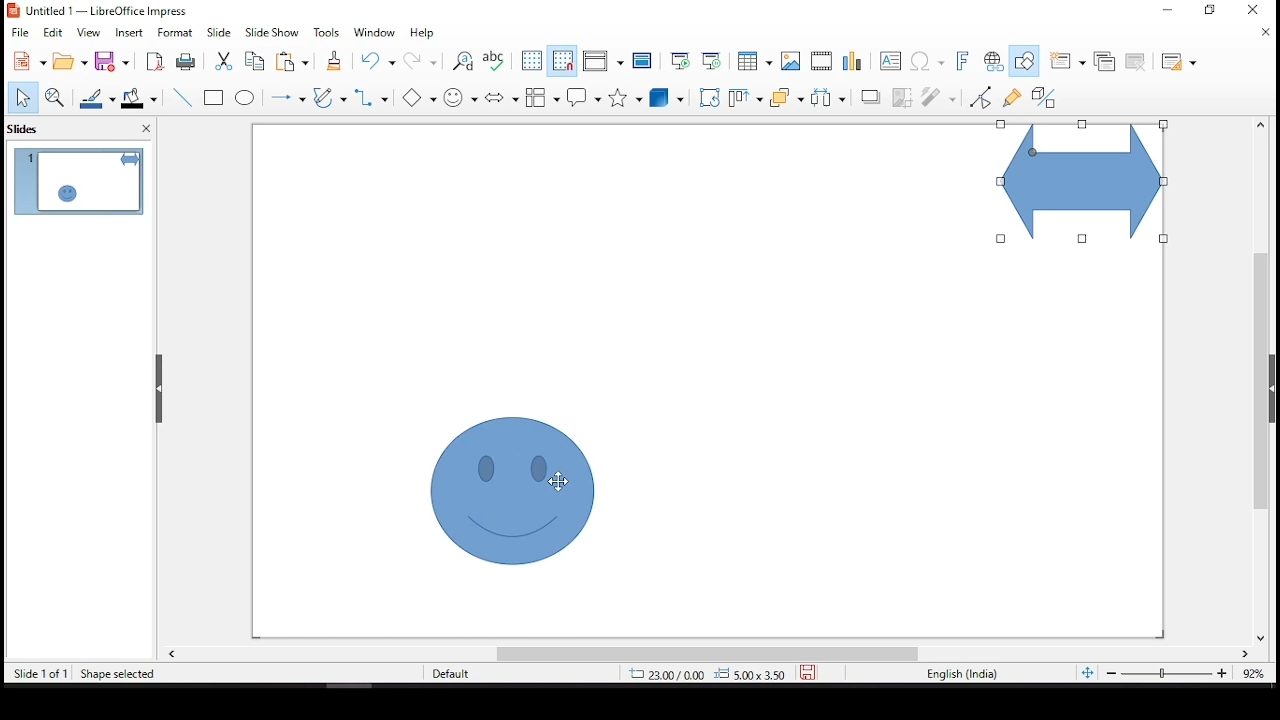  I want to click on curves and polygons, so click(330, 99).